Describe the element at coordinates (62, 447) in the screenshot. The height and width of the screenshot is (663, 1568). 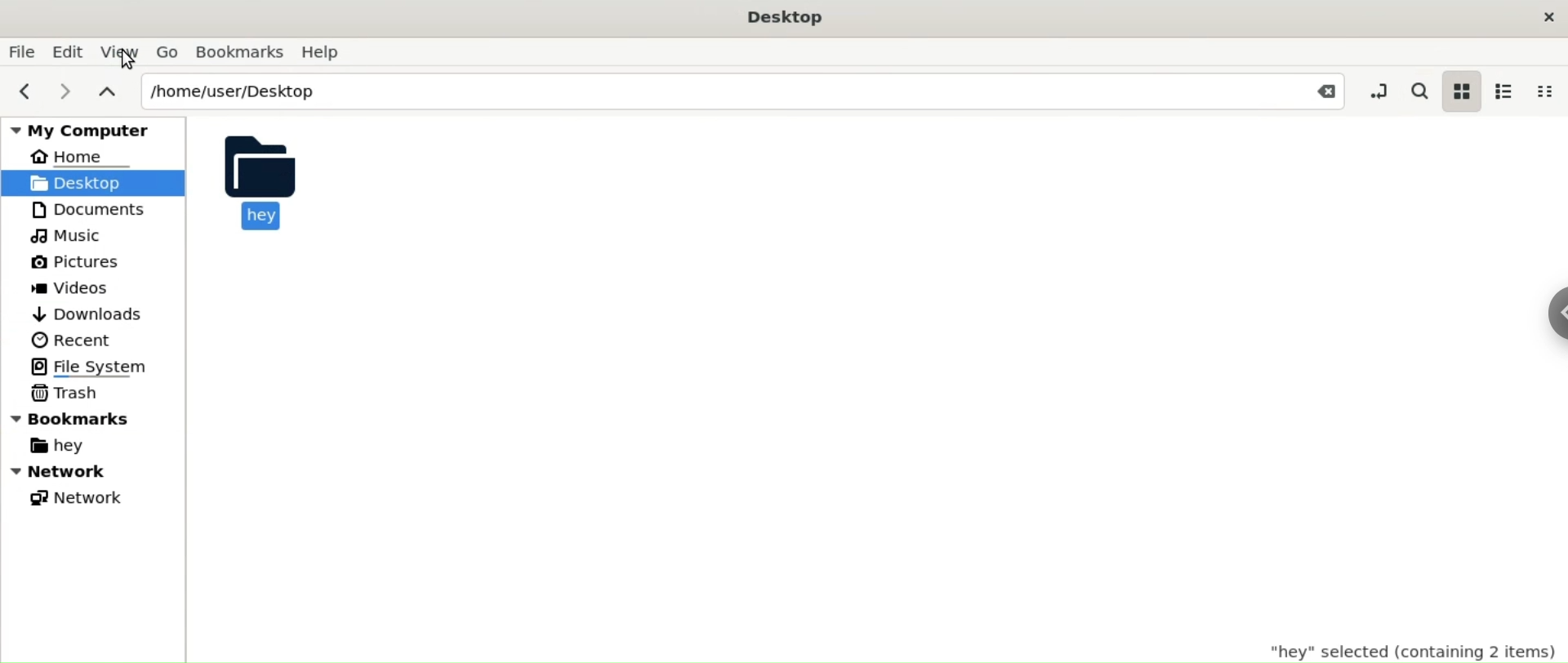
I see `hey` at that location.